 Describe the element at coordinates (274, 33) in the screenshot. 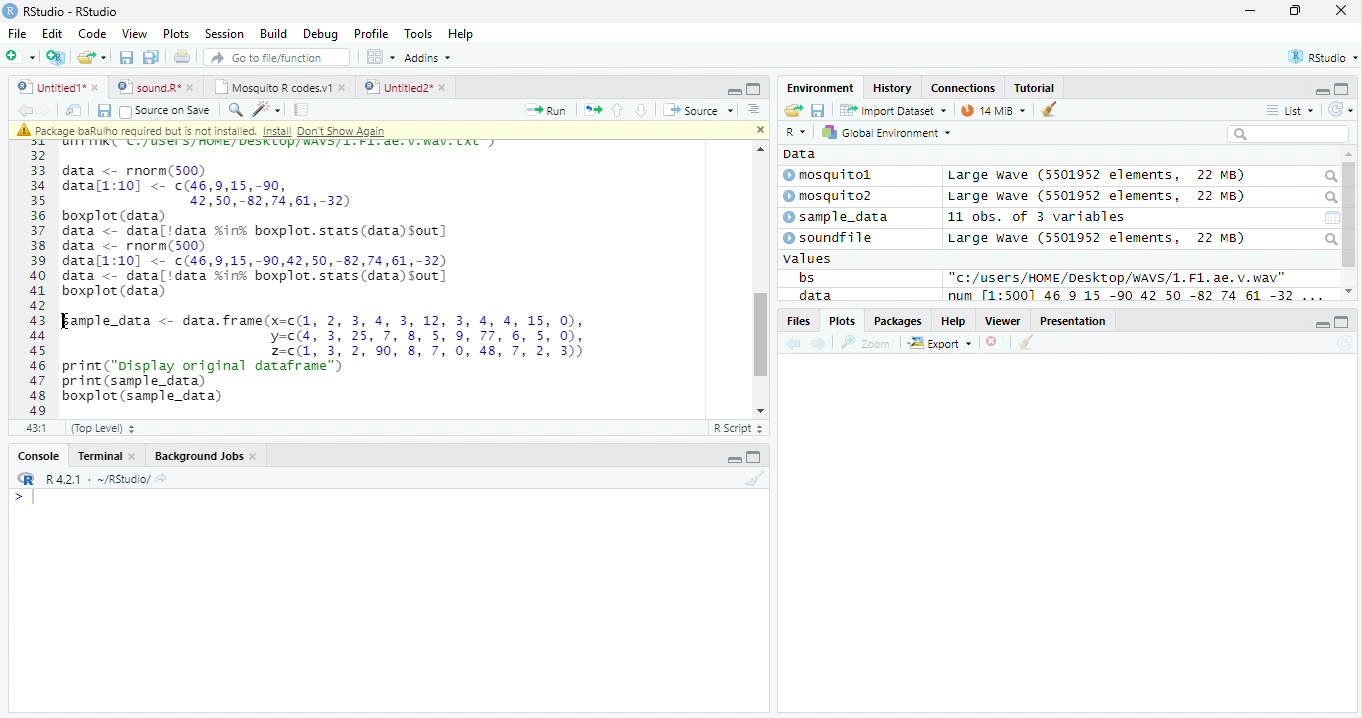

I see `Build` at that location.